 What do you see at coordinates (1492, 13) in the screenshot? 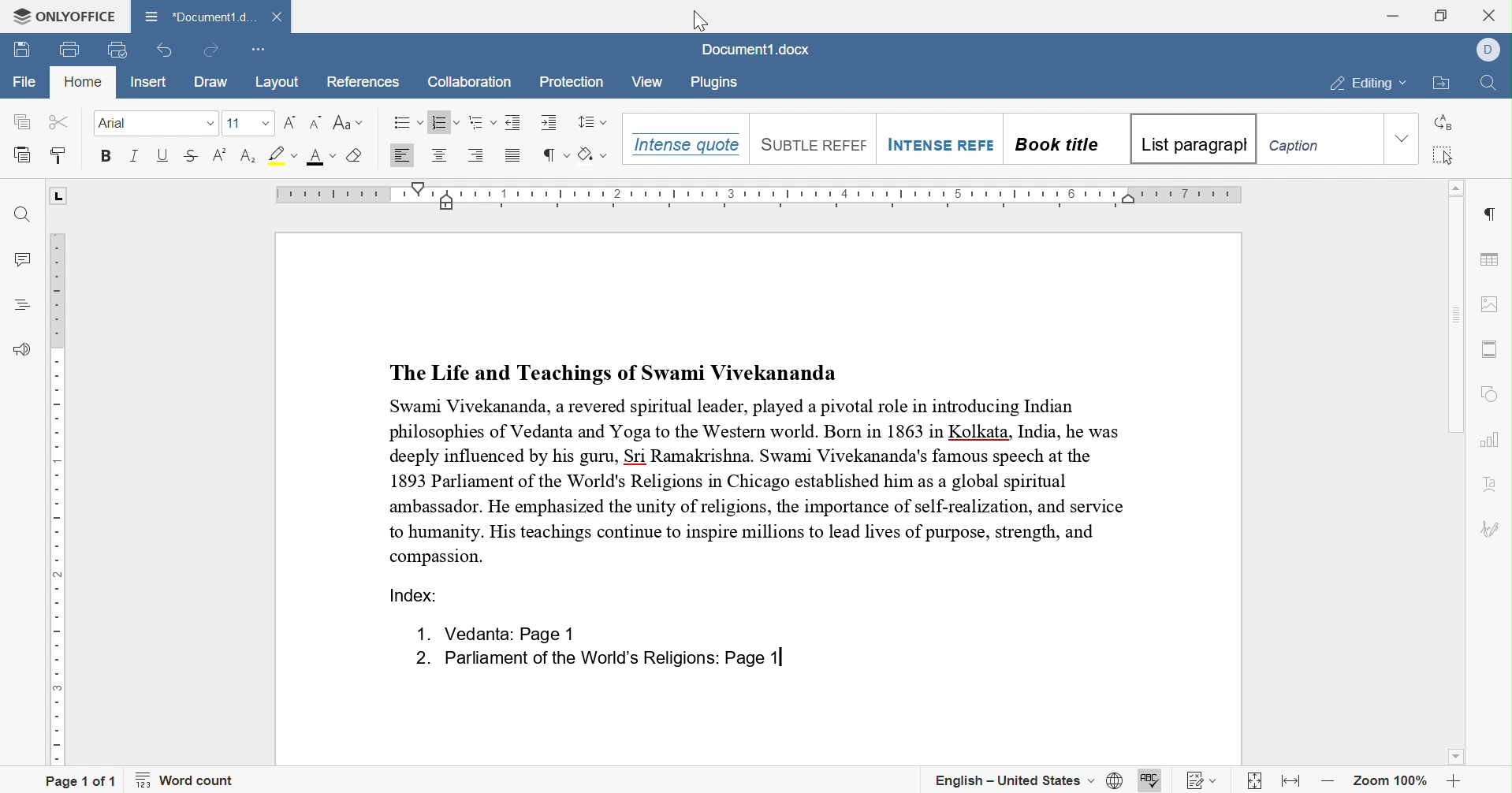
I see `close` at bounding box center [1492, 13].